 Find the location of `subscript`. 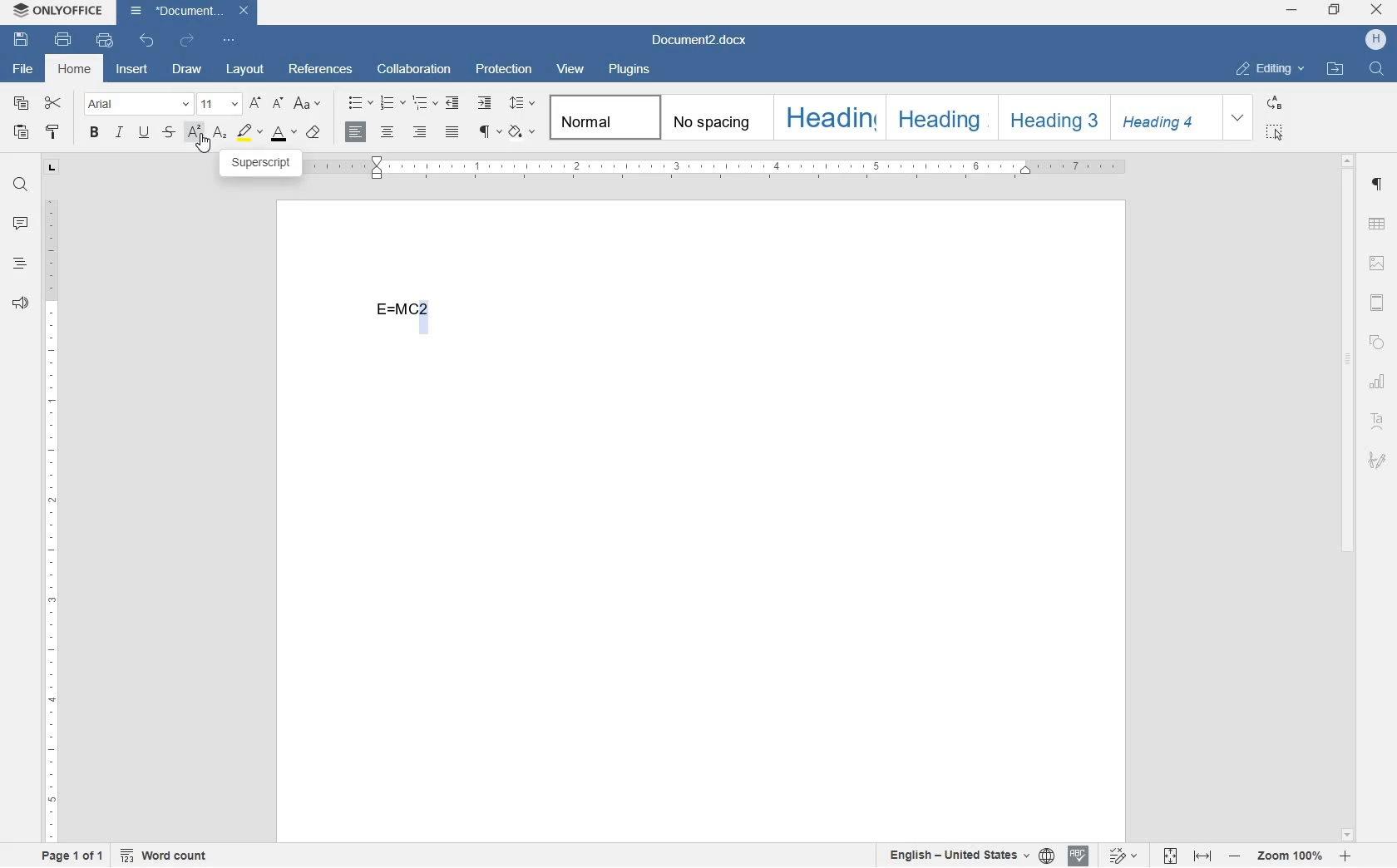

subscript is located at coordinates (219, 133).